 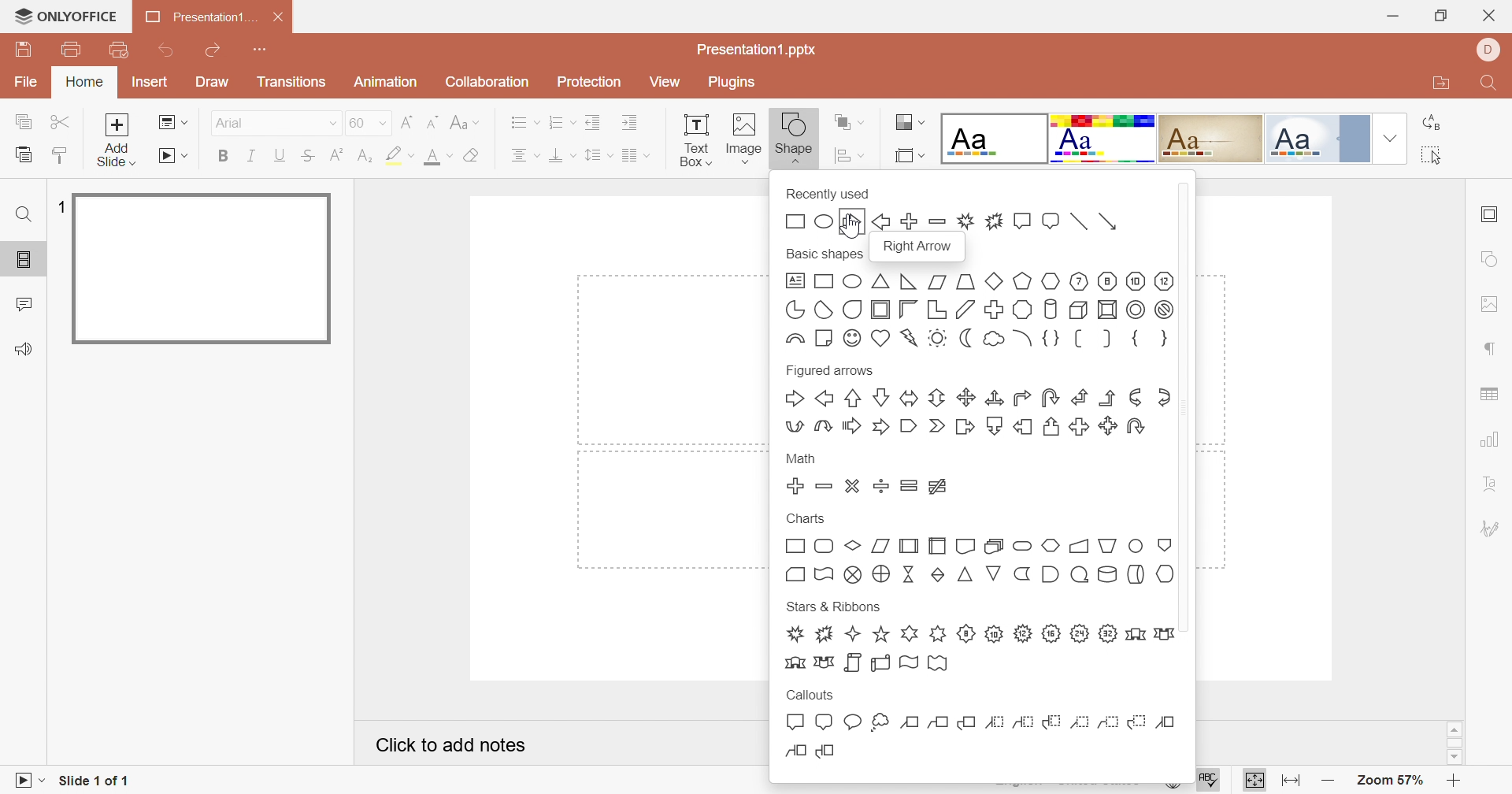 What do you see at coordinates (61, 123) in the screenshot?
I see `Cut` at bounding box center [61, 123].